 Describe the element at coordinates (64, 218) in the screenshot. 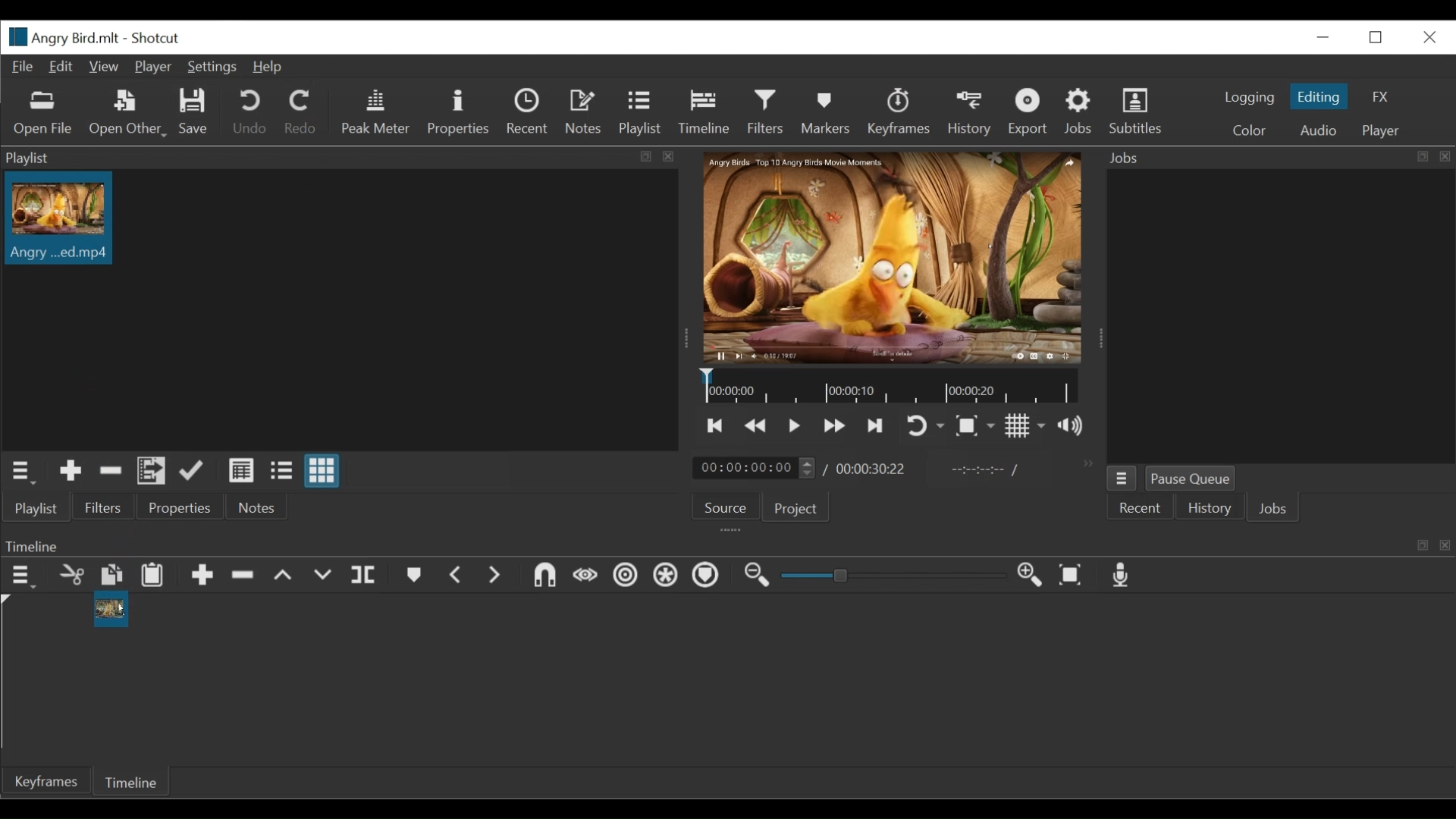

I see `Clip` at that location.